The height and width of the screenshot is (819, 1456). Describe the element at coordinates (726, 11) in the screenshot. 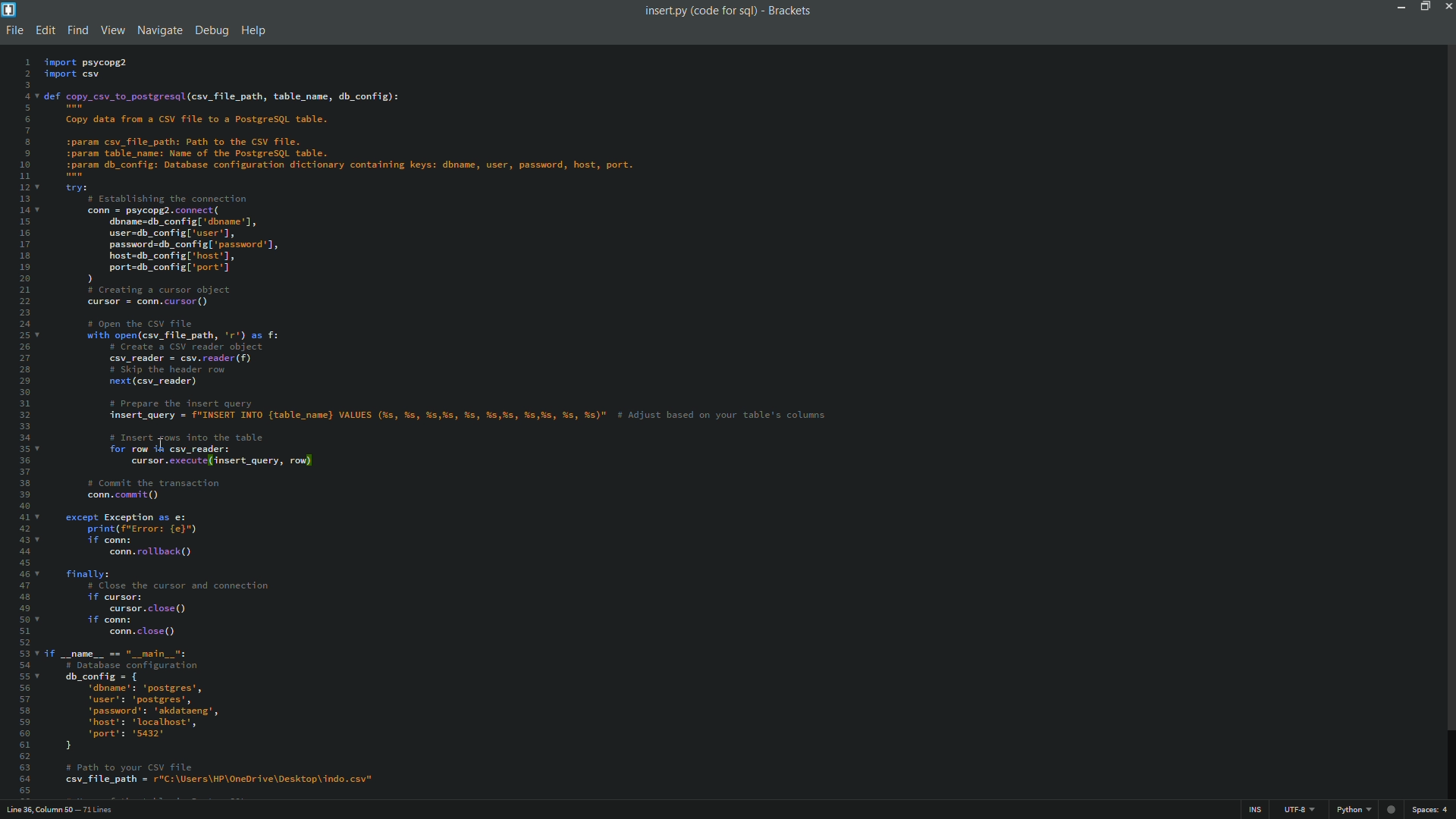

I see `insert.py (code for sql) - Brackets.` at that location.